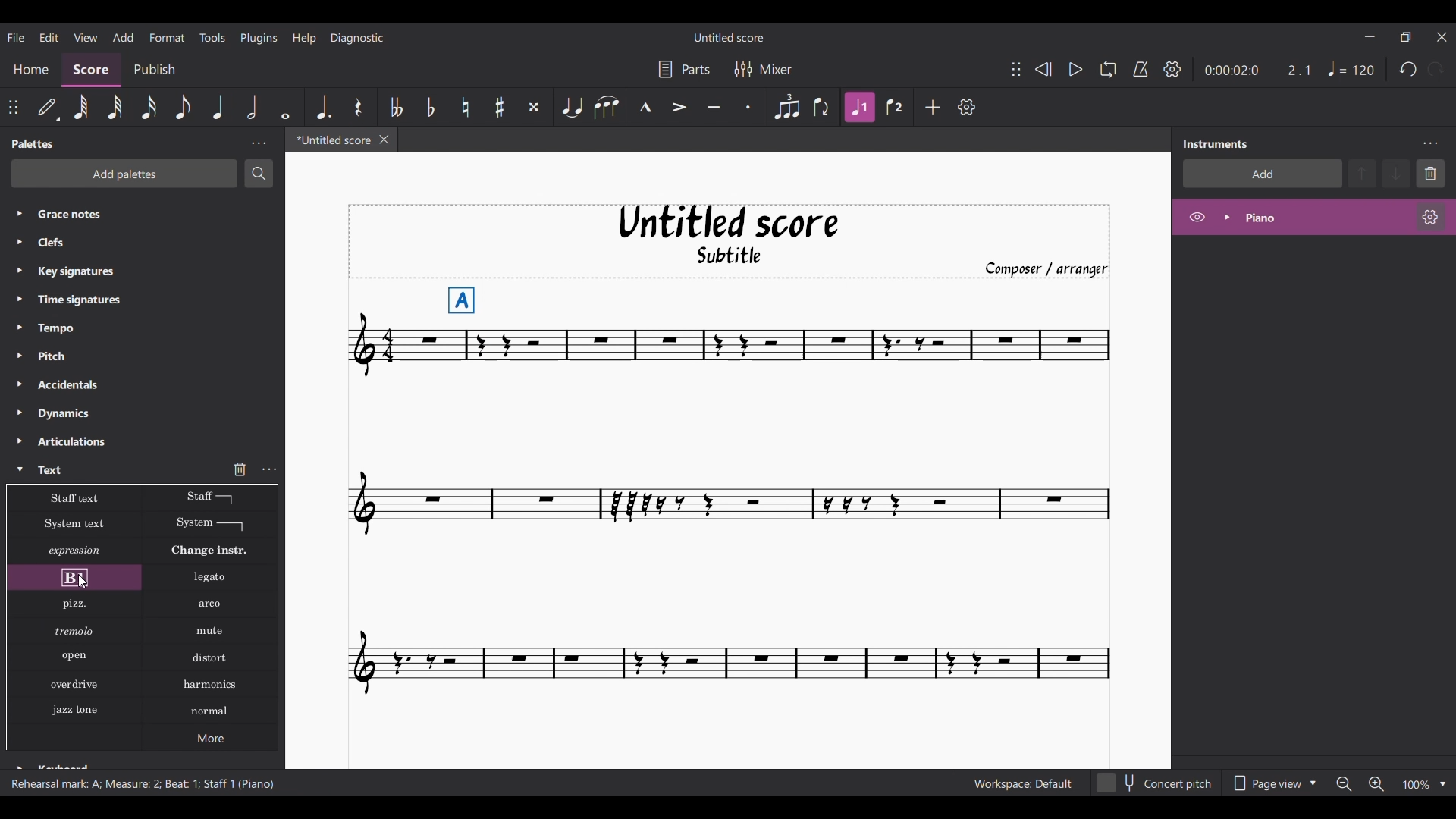 The image size is (1456, 819). What do you see at coordinates (787, 107) in the screenshot?
I see `Tuplet` at bounding box center [787, 107].